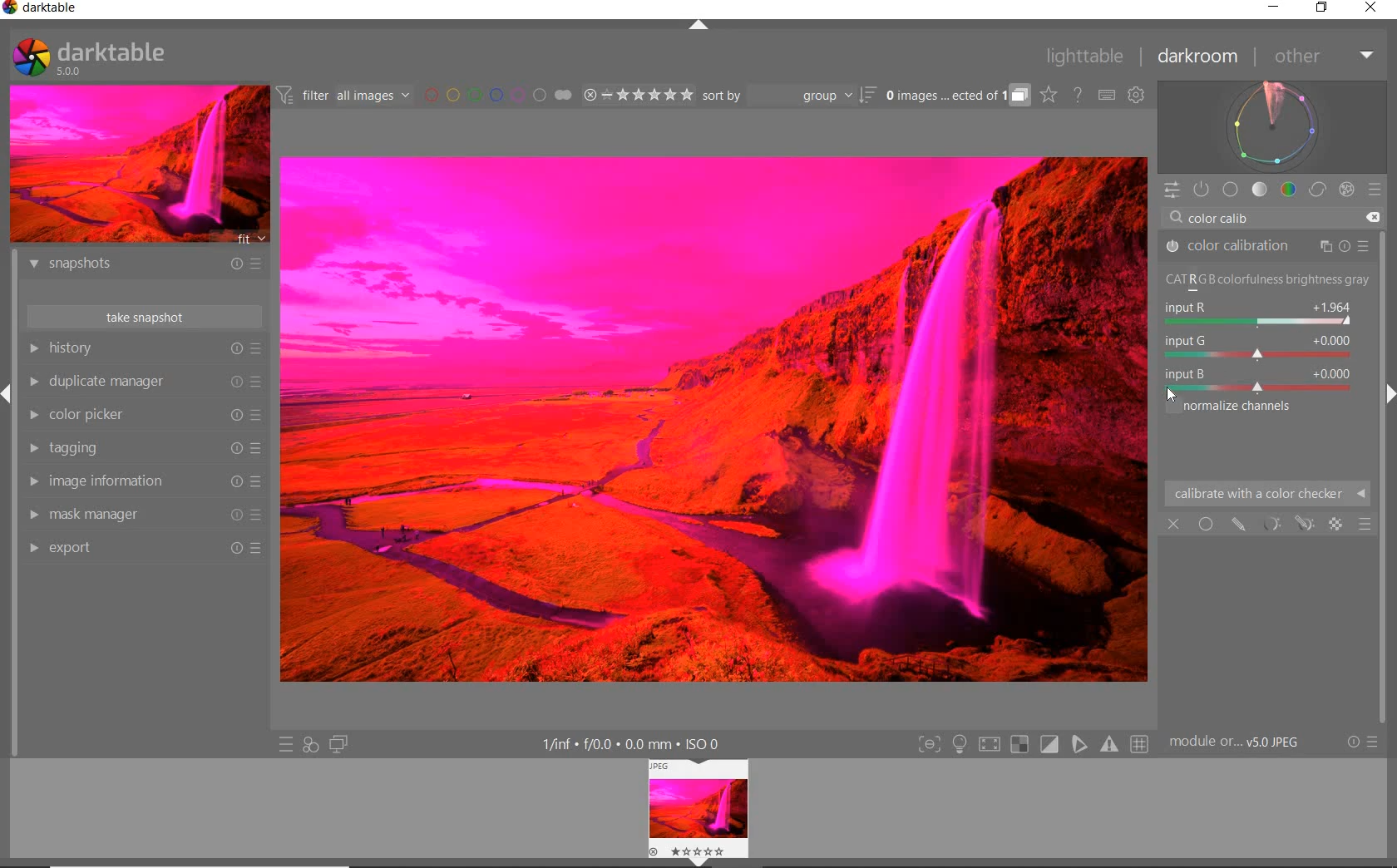  What do you see at coordinates (1256, 313) in the screenshot?
I see `INPUT R` at bounding box center [1256, 313].